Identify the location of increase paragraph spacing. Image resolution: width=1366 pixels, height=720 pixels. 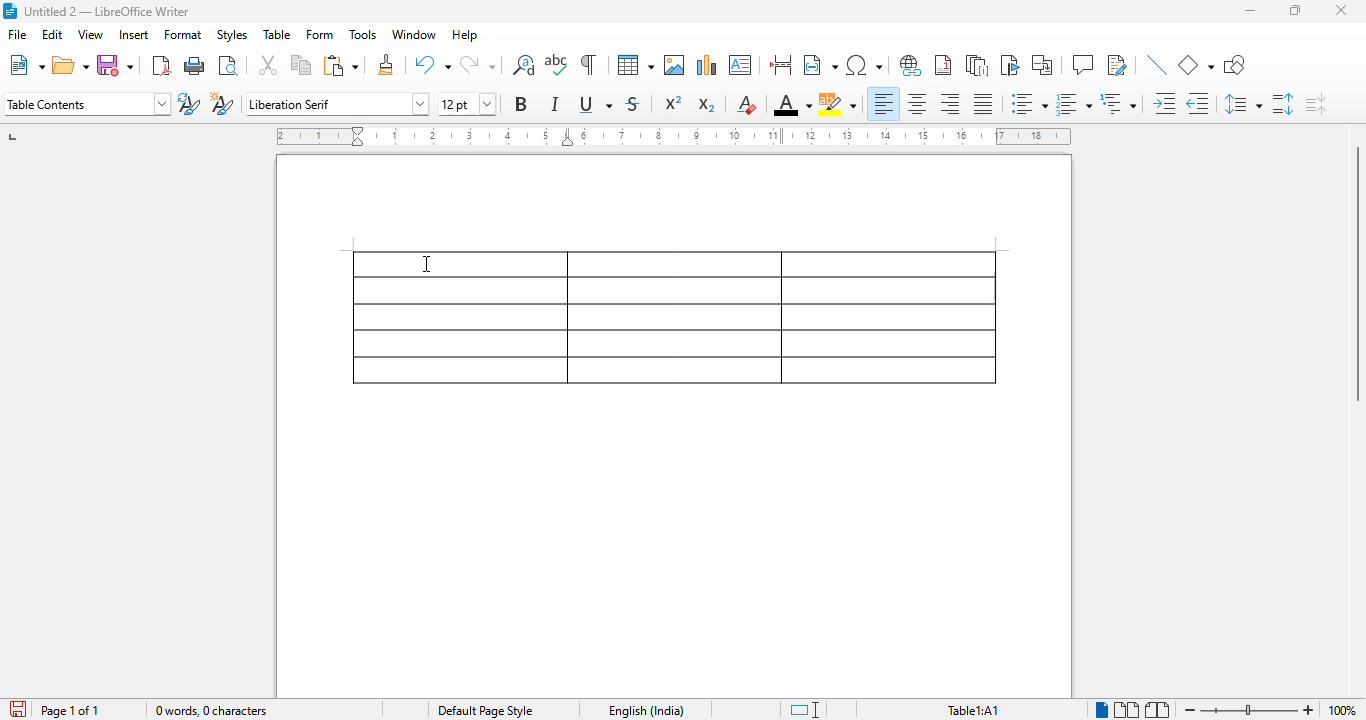
(1283, 104).